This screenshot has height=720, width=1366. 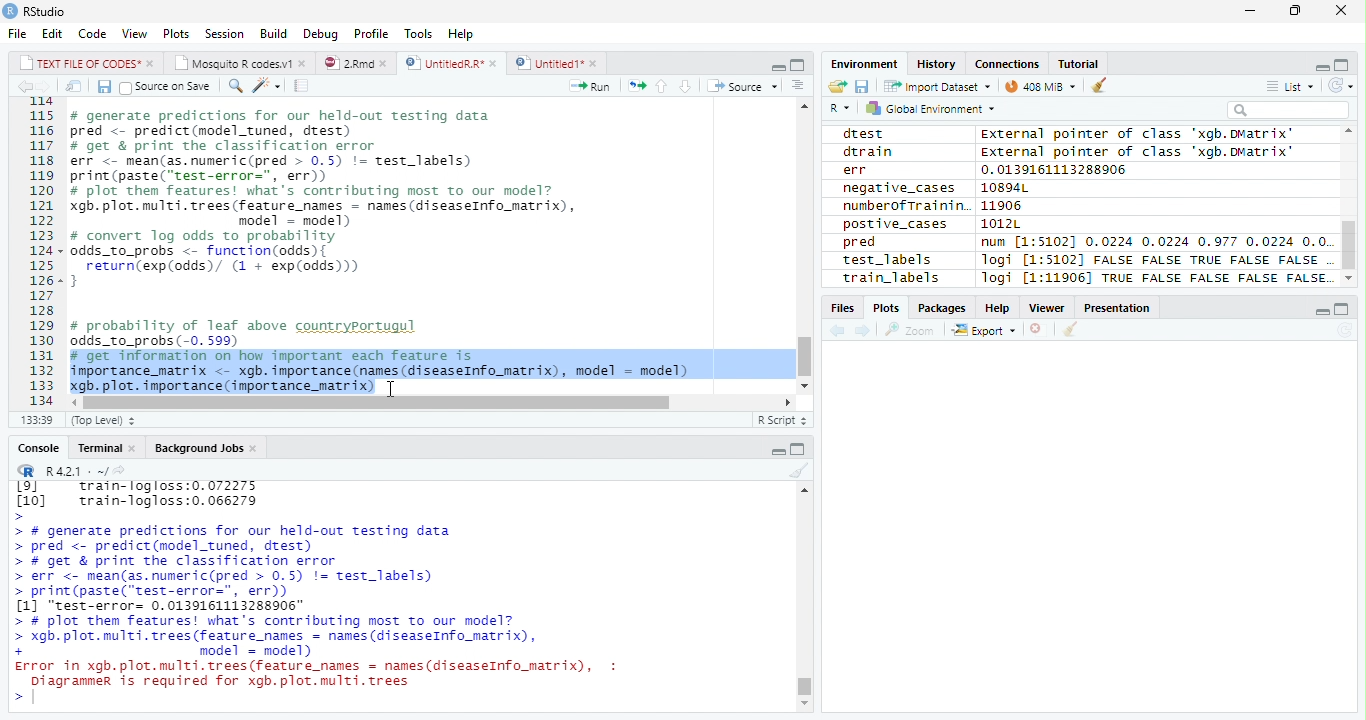 What do you see at coordinates (49, 86) in the screenshot?
I see `Next` at bounding box center [49, 86].